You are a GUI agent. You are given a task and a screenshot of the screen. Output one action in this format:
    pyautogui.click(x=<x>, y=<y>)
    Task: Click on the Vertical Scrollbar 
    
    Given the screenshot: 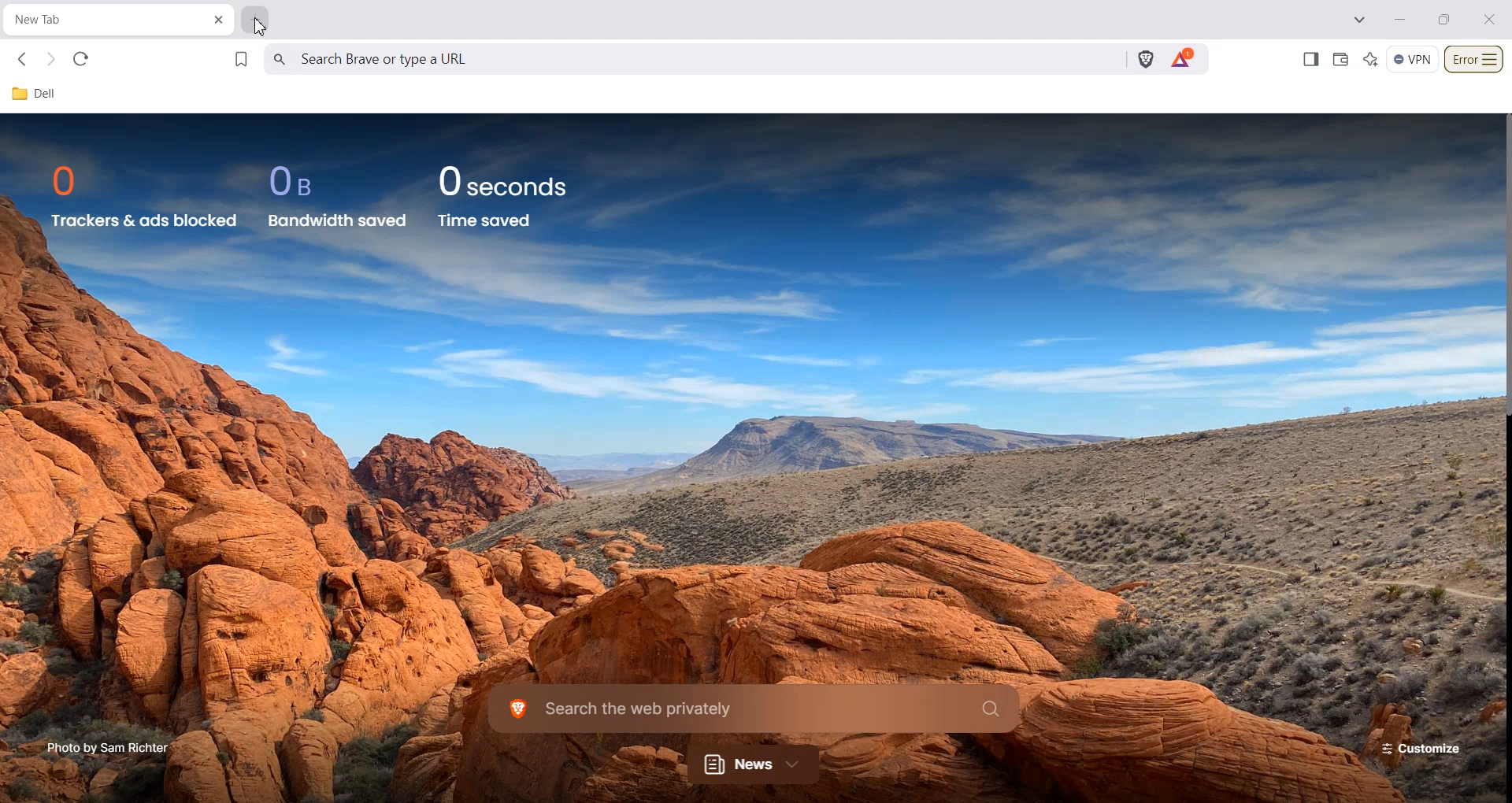 What is the action you would take?
    pyautogui.click(x=1503, y=265)
    